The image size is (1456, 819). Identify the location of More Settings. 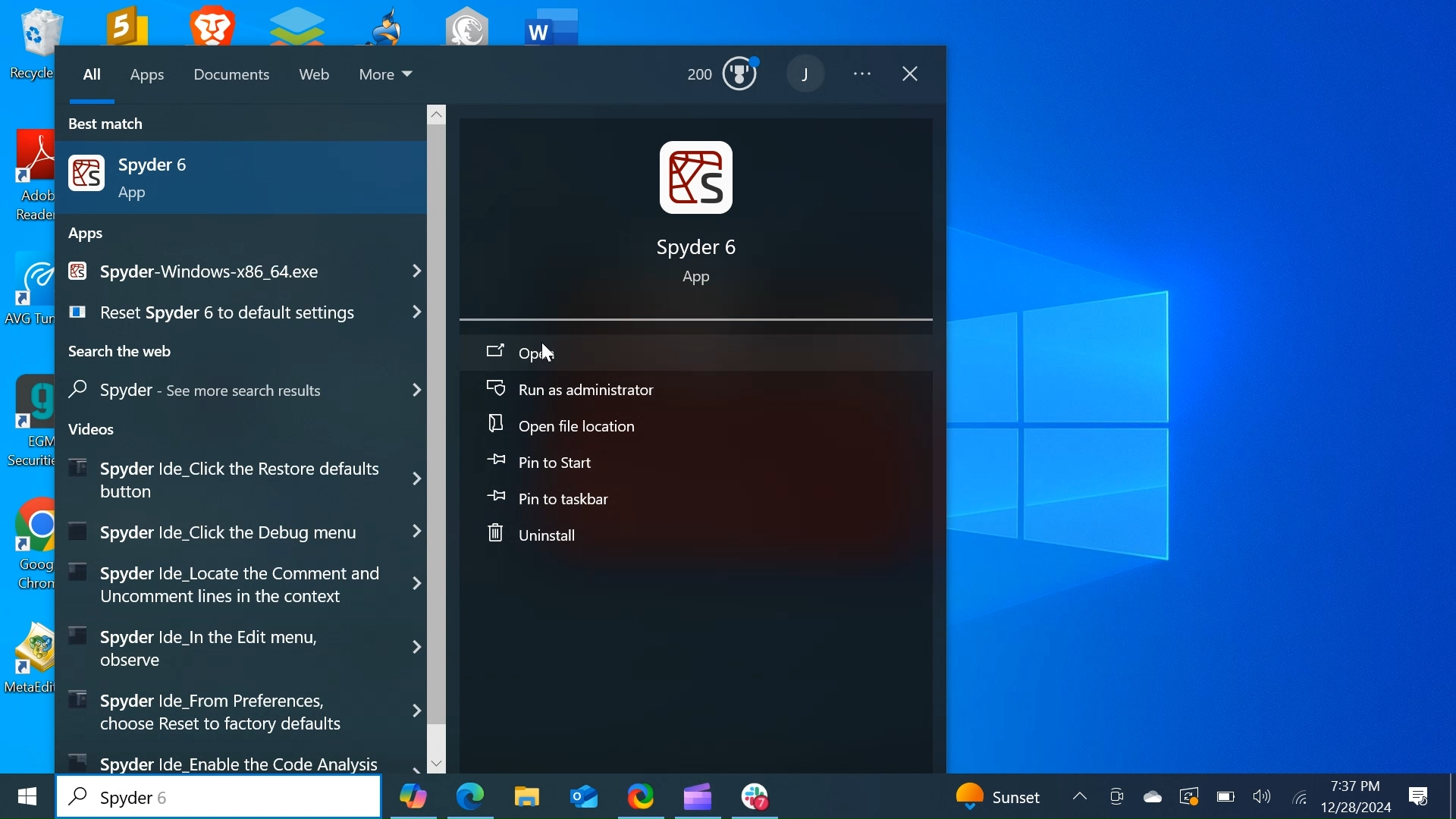
(865, 76).